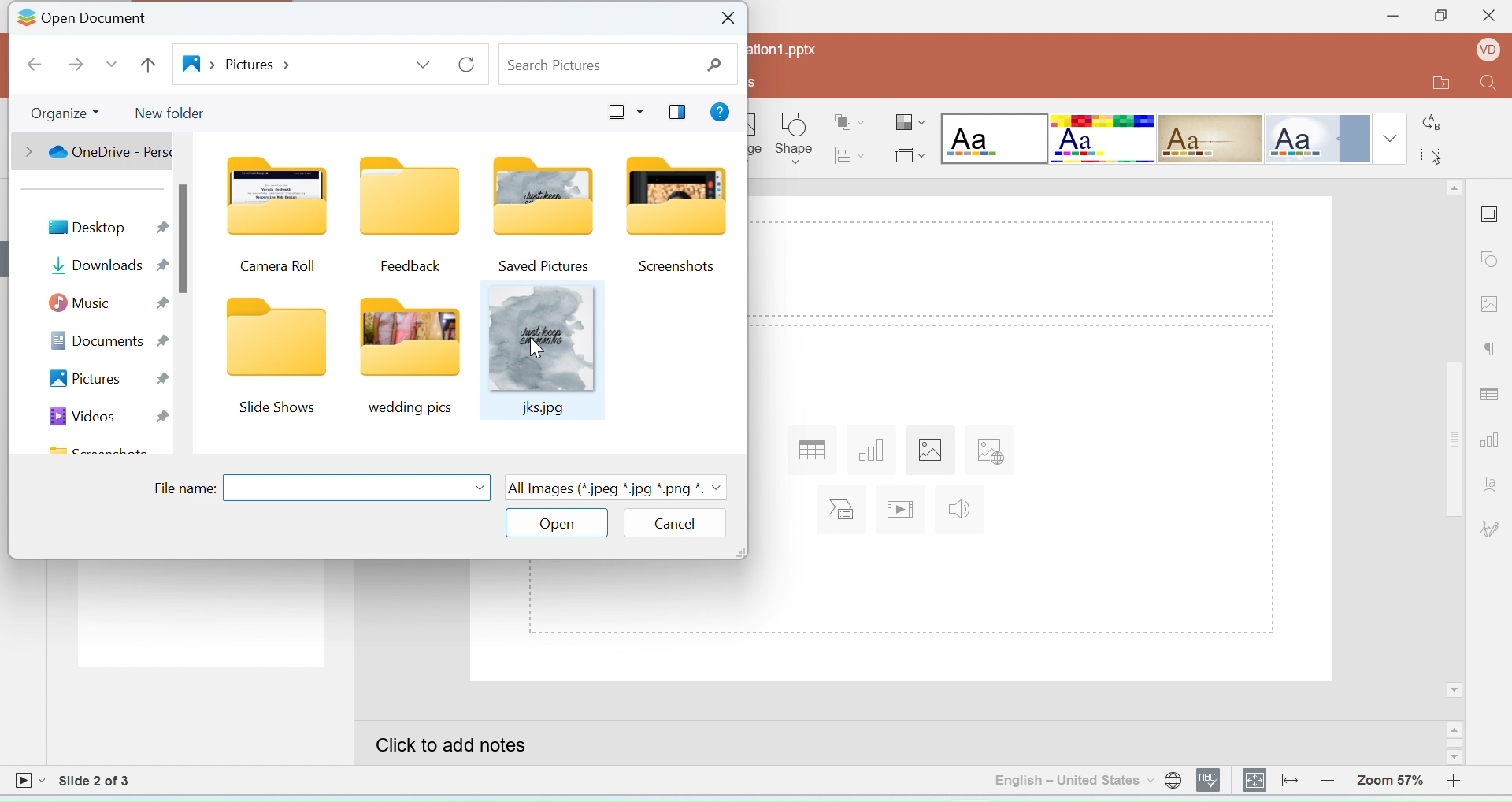  Describe the element at coordinates (1492, 212) in the screenshot. I see `Slide settings` at that location.